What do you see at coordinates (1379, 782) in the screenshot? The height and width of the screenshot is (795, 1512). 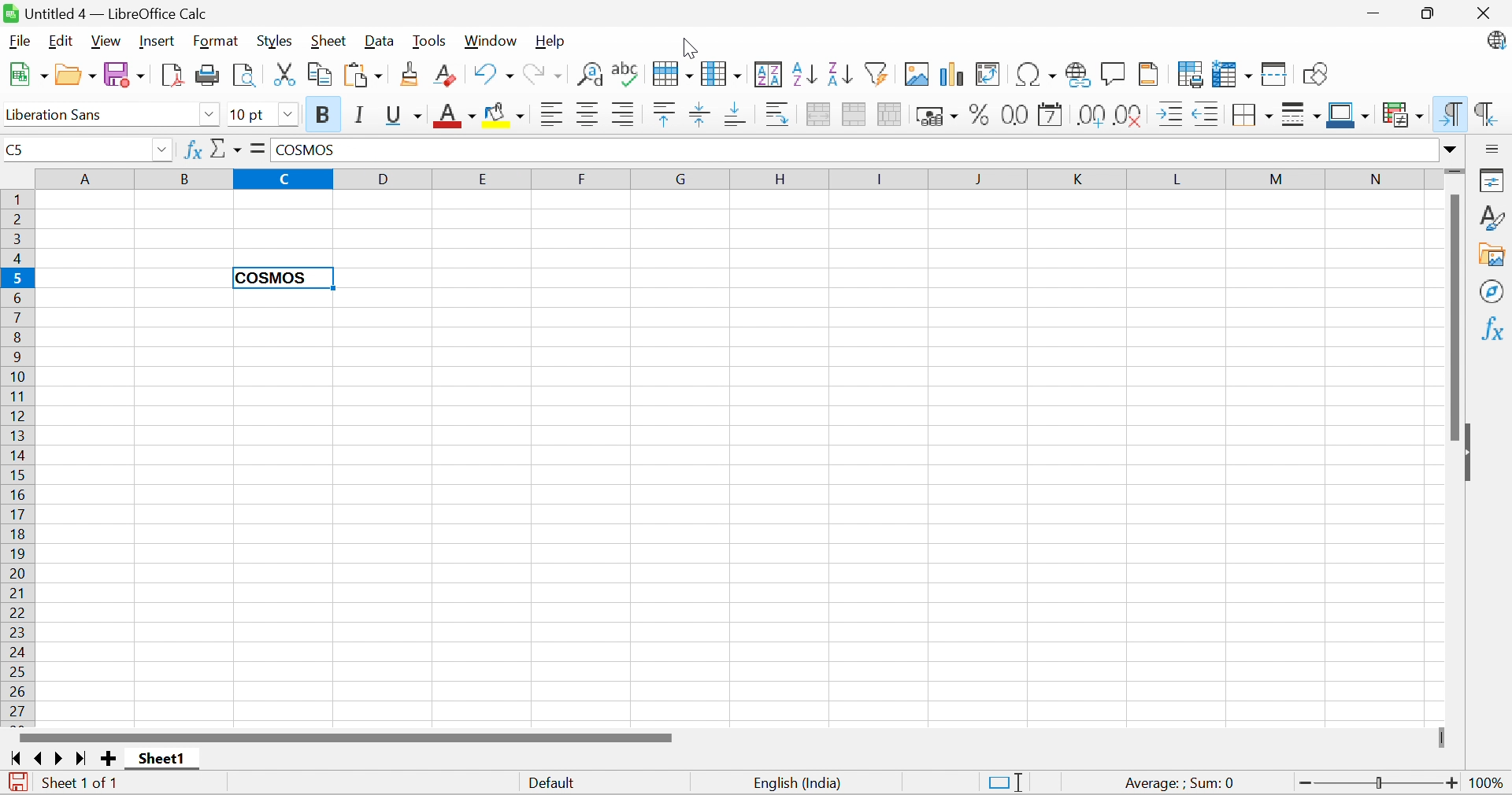 I see `Slider` at bounding box center [1379, 782].